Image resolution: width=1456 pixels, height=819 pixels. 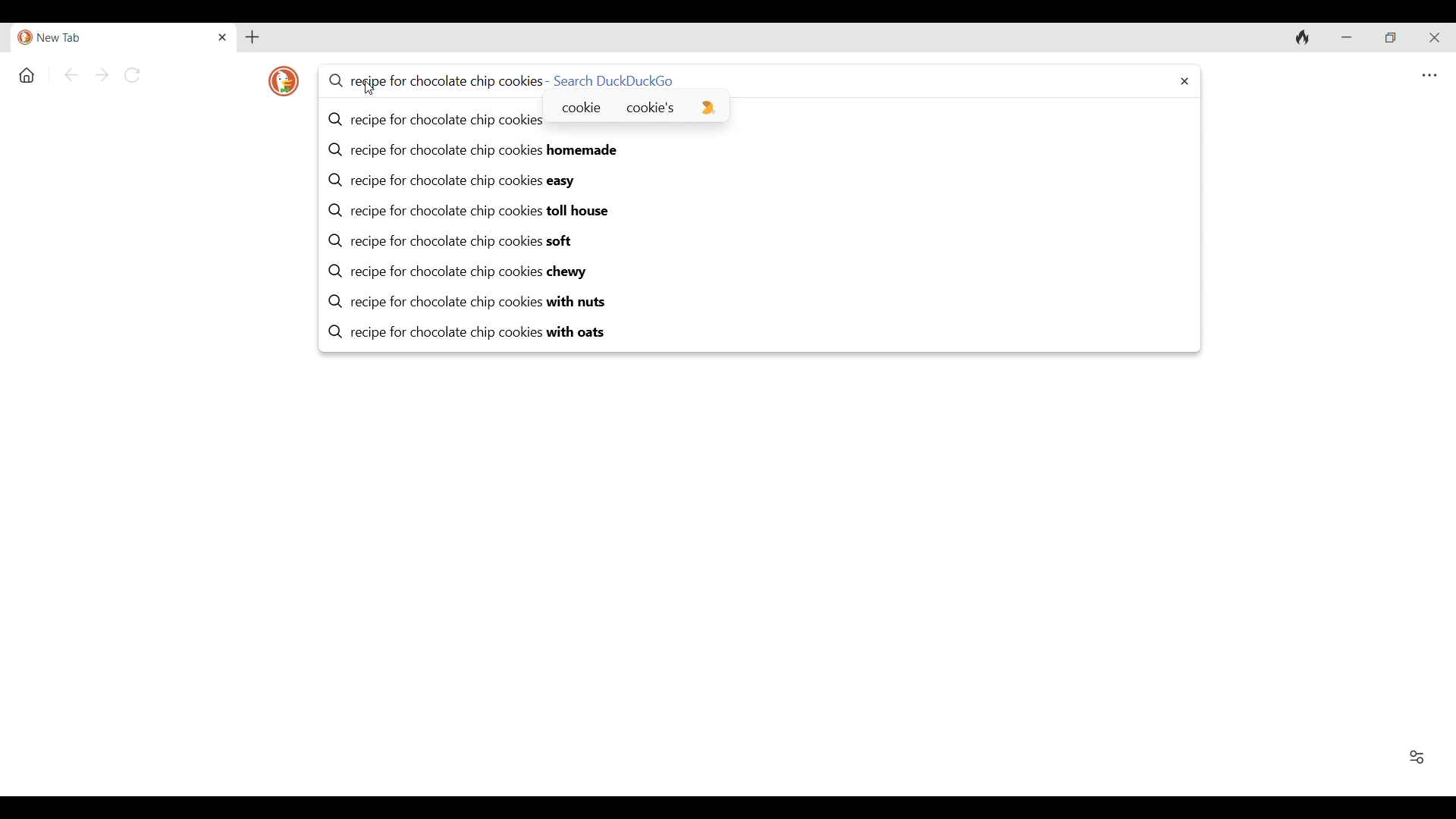 I want to click on Close tab, so click(x=224, y=37).